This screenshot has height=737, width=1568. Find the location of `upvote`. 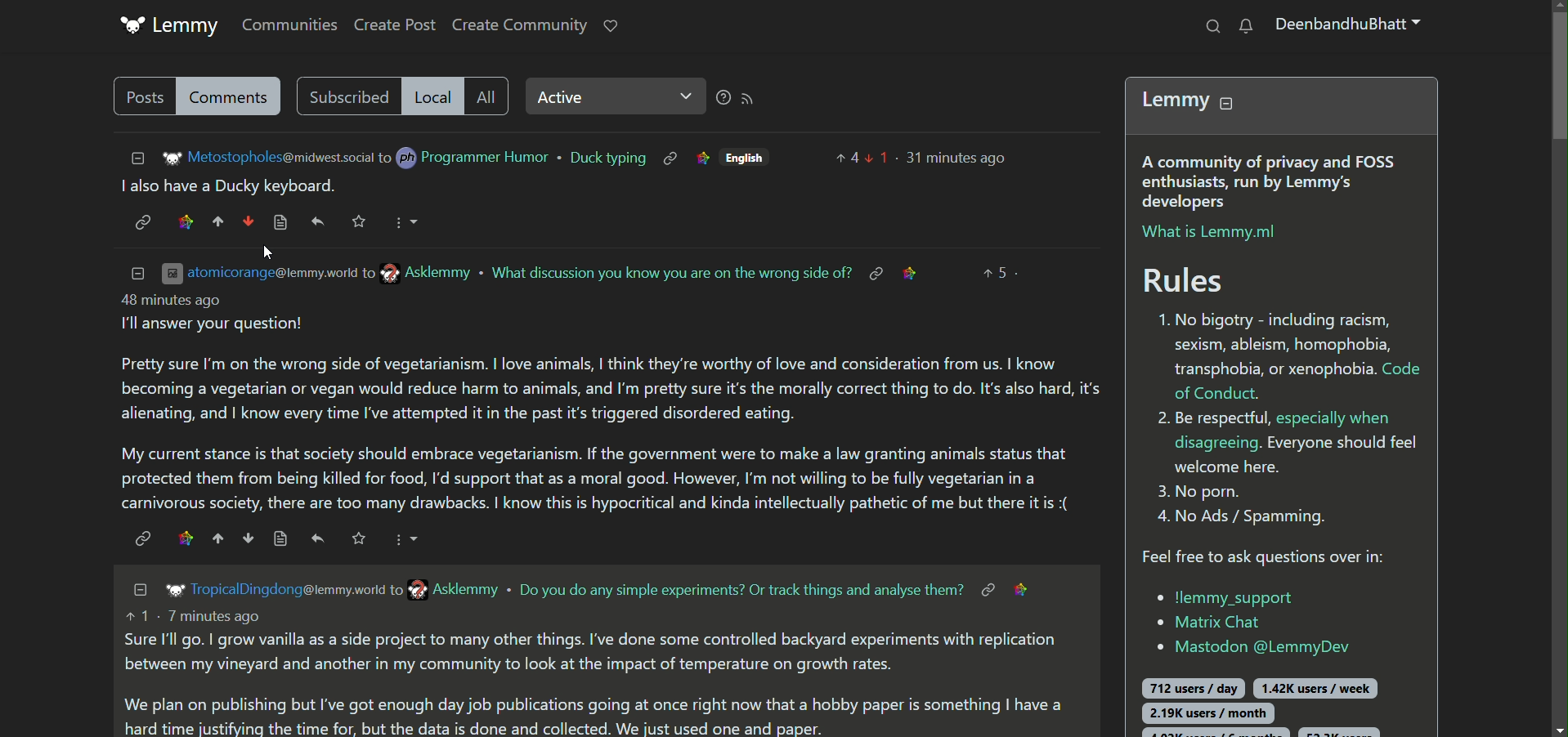

upvote is located at coordinates (219, 221).